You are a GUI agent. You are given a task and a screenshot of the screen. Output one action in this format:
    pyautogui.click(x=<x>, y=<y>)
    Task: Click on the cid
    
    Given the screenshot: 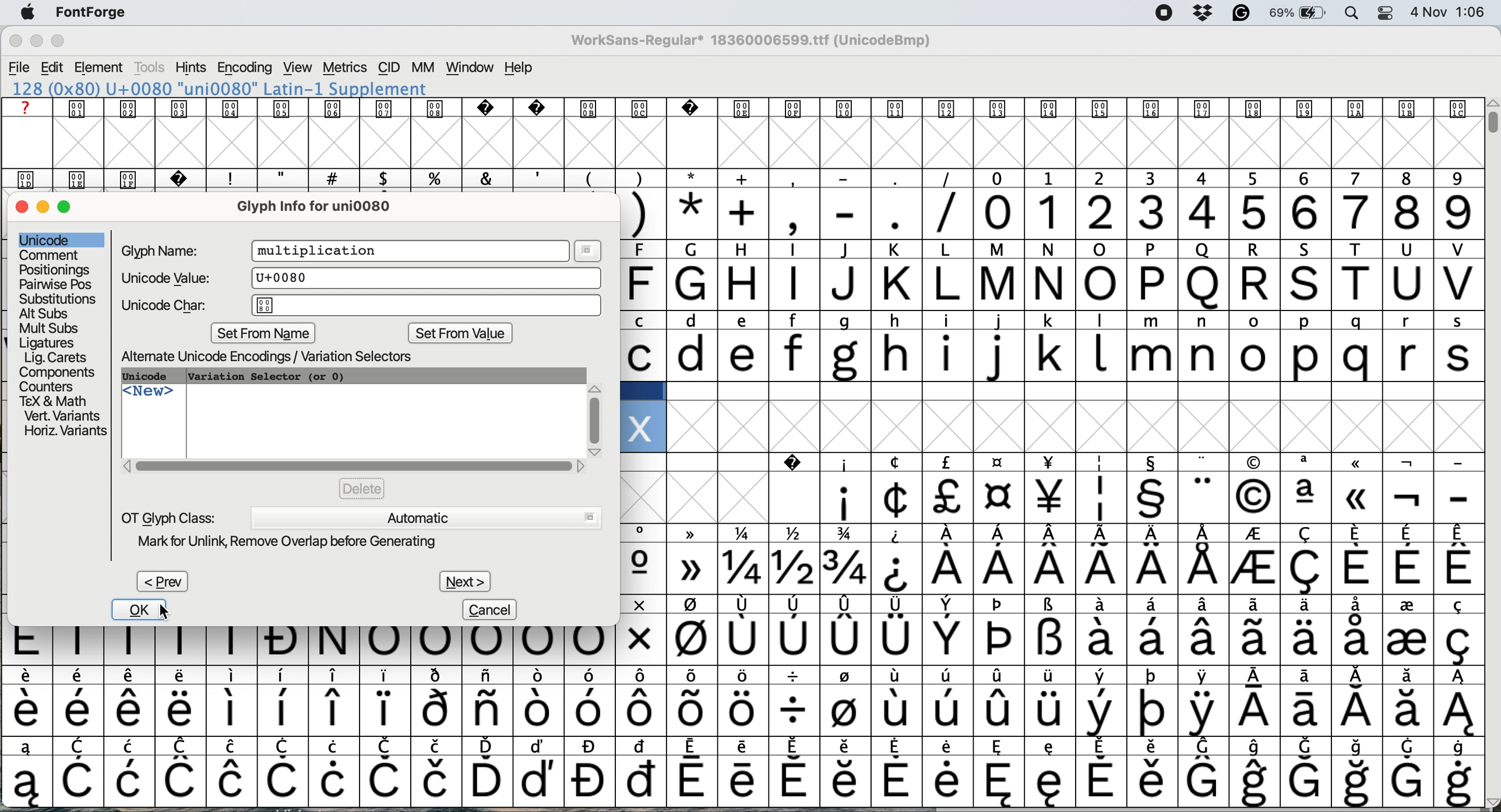 What is the action you would take?
    pyautogui.click(x=389, y=68)
    